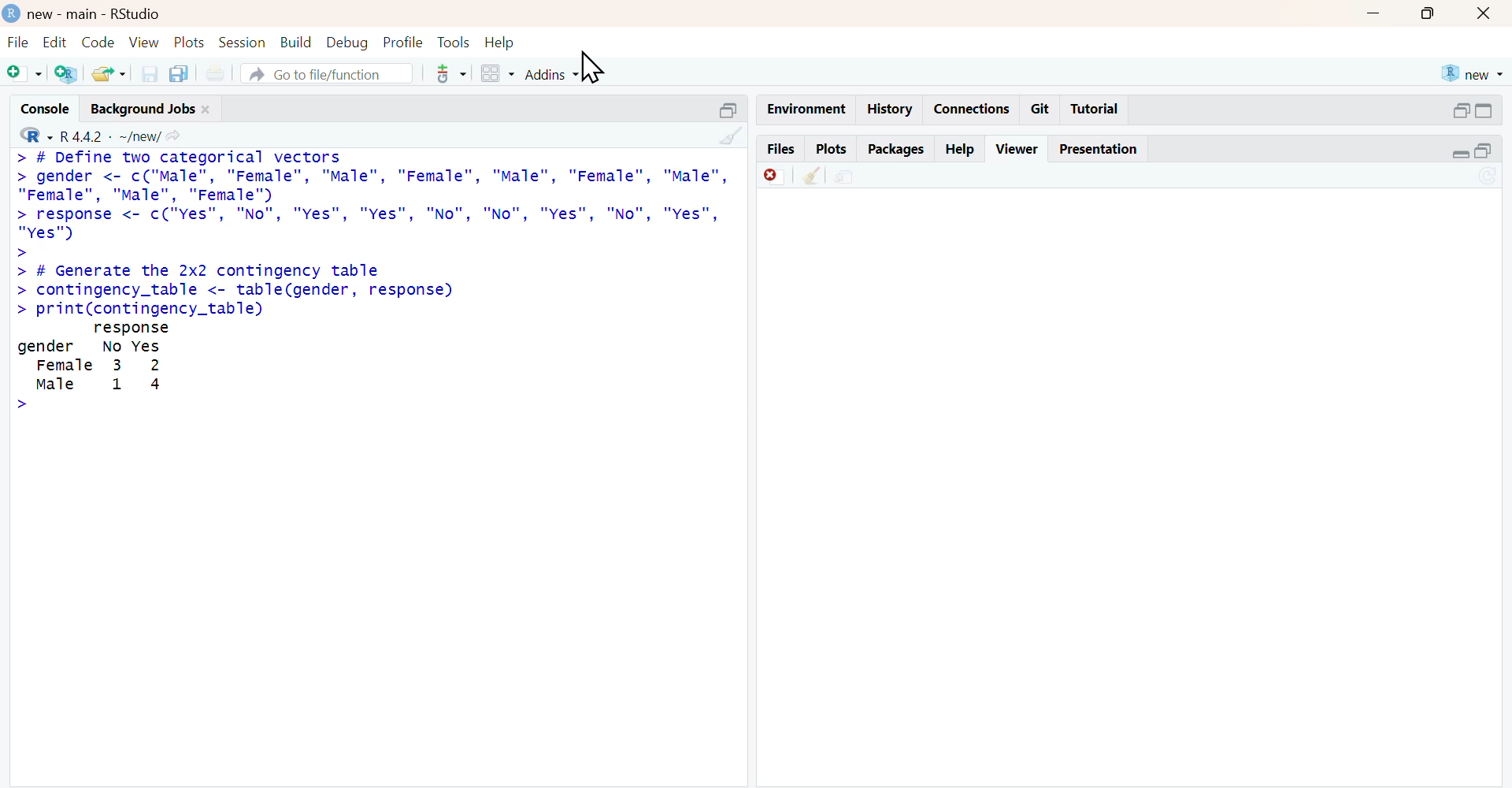 This screenshot has width=1512, height=788. What do you see at coordinates (347, 43) in the screenshot?
I see `debug` at bounding box center [347, 43].